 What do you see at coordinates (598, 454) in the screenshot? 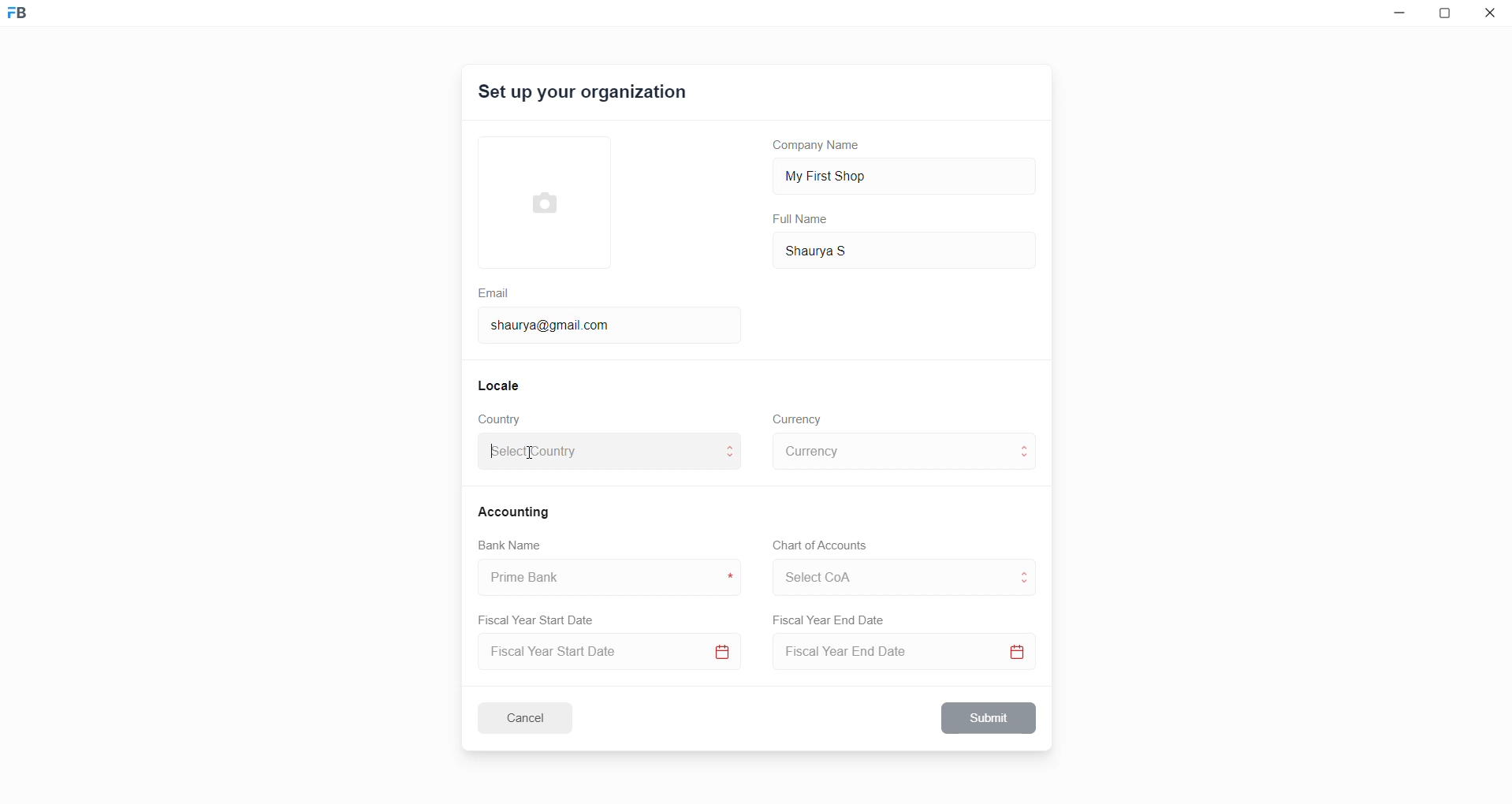
I see `select country` at bounding box center [598, 454].